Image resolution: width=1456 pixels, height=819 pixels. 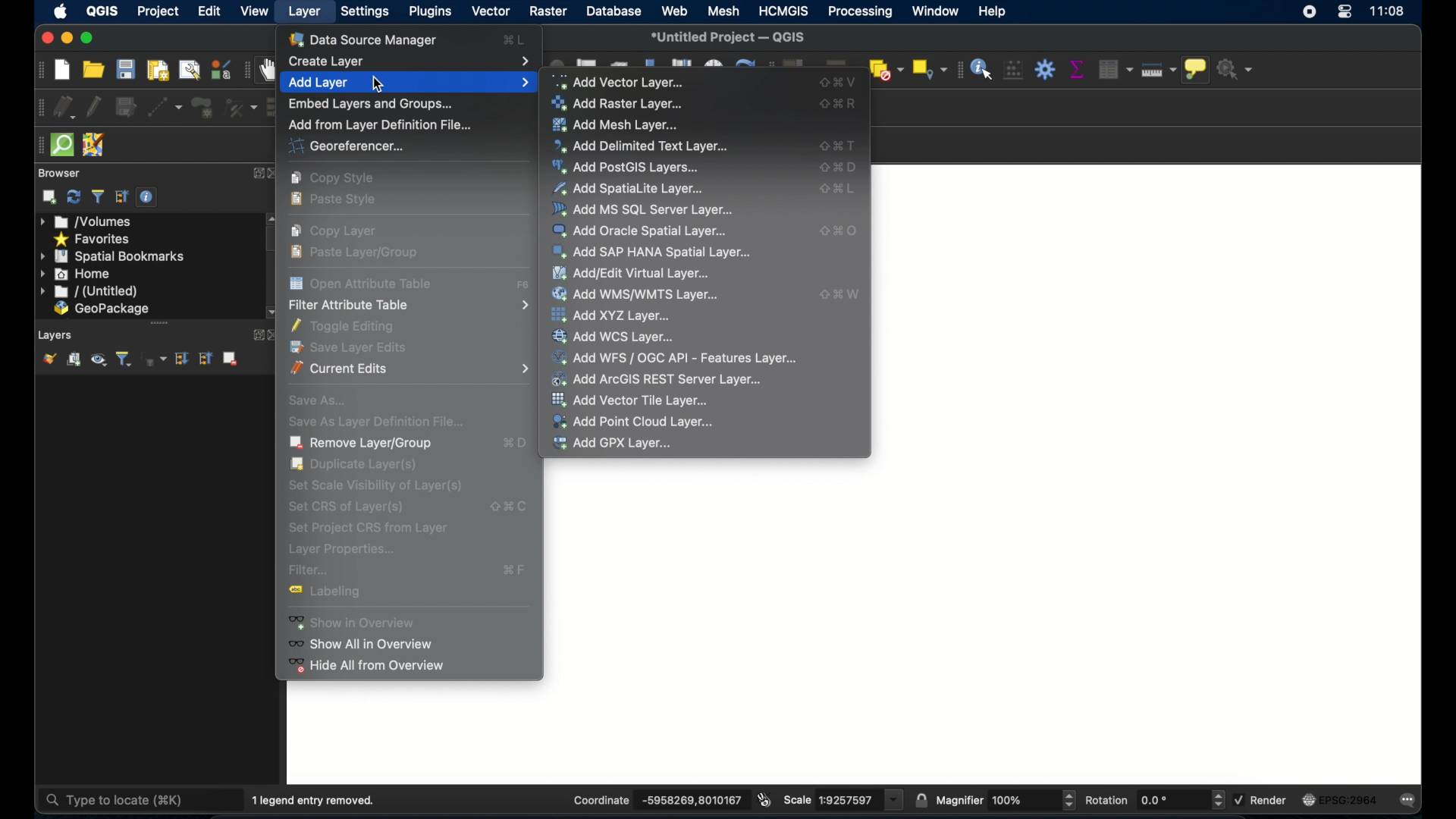 What do you see at coordinates (77, 274) in the screenshot?
I see `home` at bounding box center [77, 274].